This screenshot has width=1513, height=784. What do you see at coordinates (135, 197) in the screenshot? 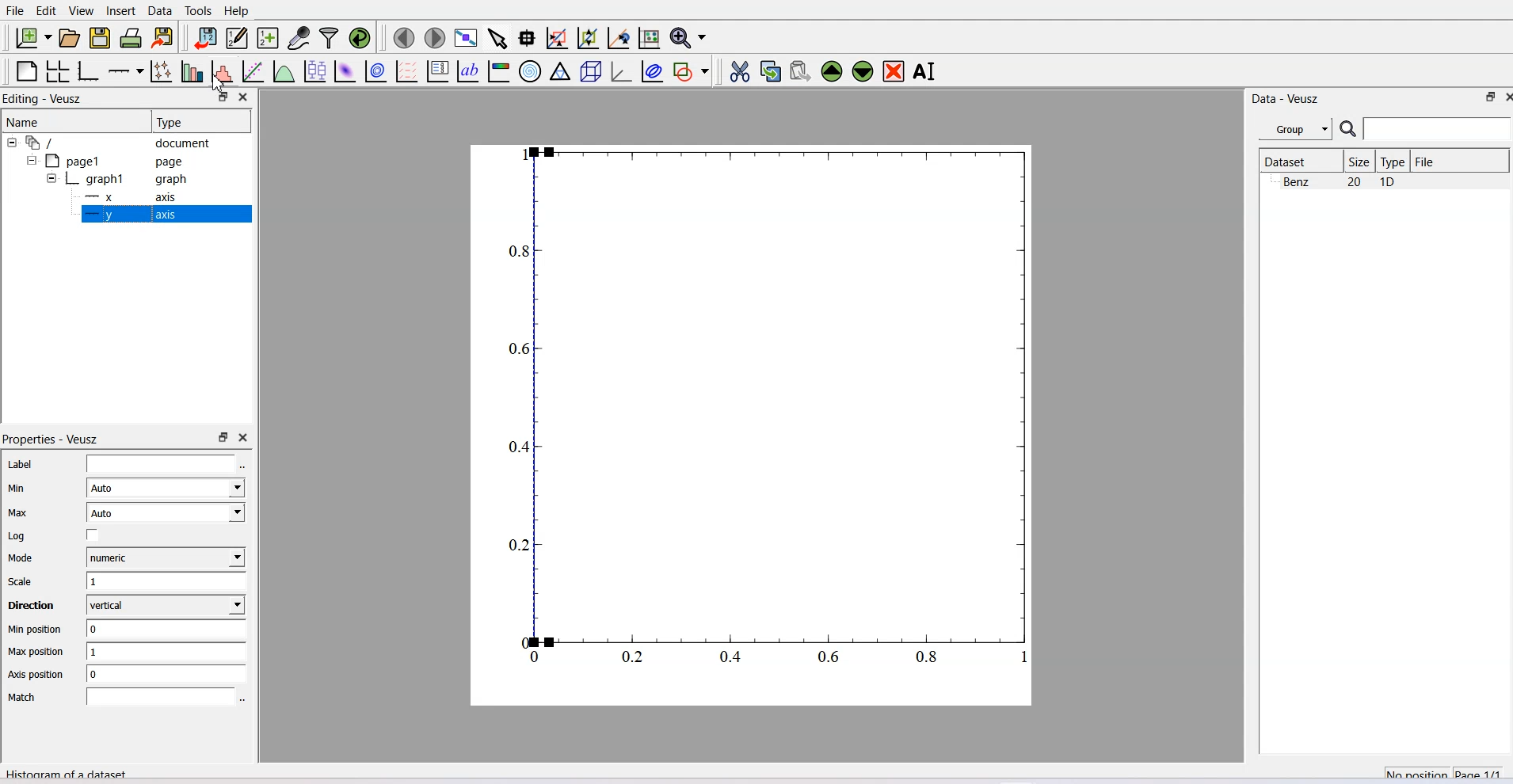
I see `X Axis` at bounding box center [135, 197].